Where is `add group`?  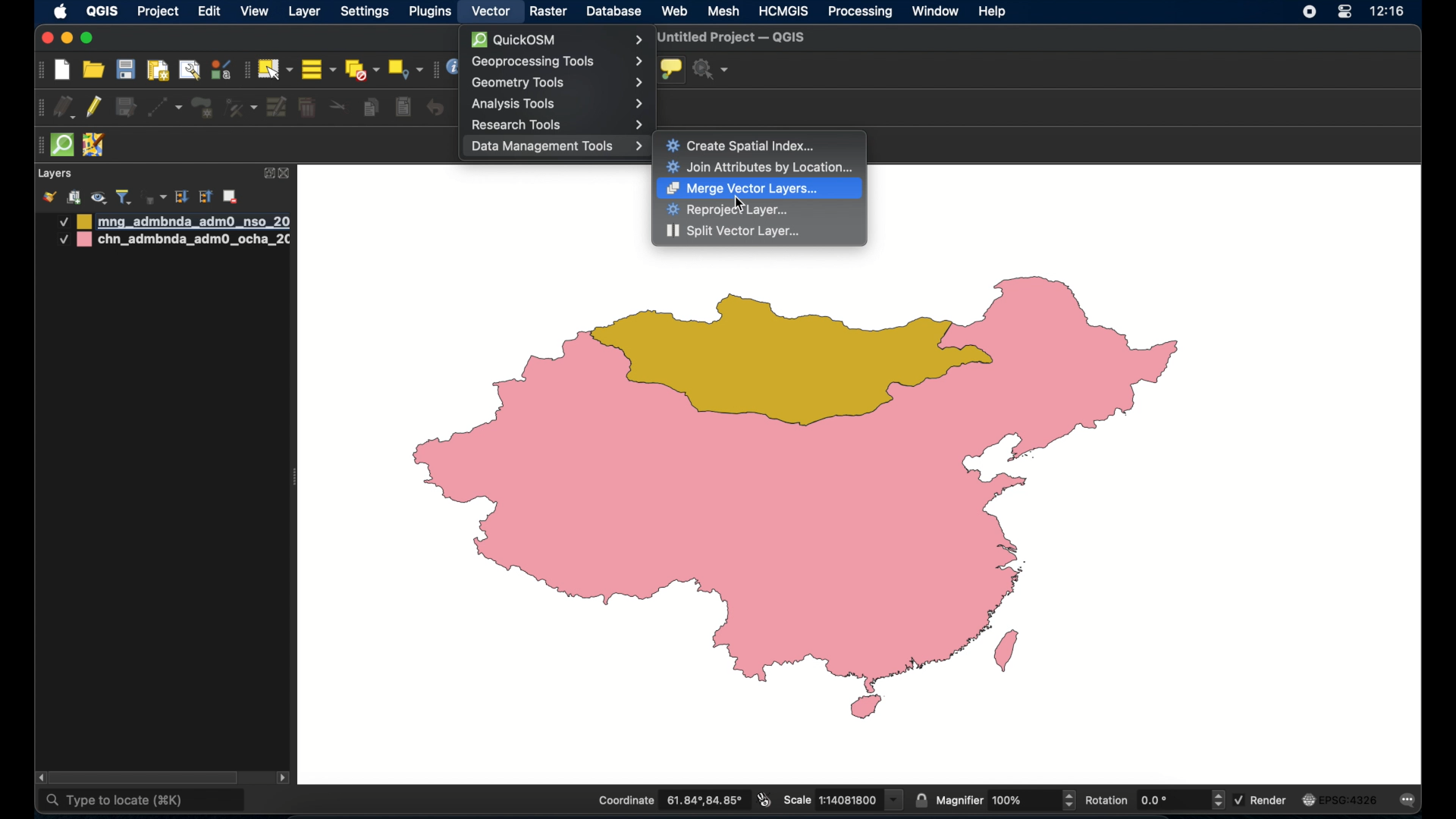 add group is located at coordinates (74, 197).